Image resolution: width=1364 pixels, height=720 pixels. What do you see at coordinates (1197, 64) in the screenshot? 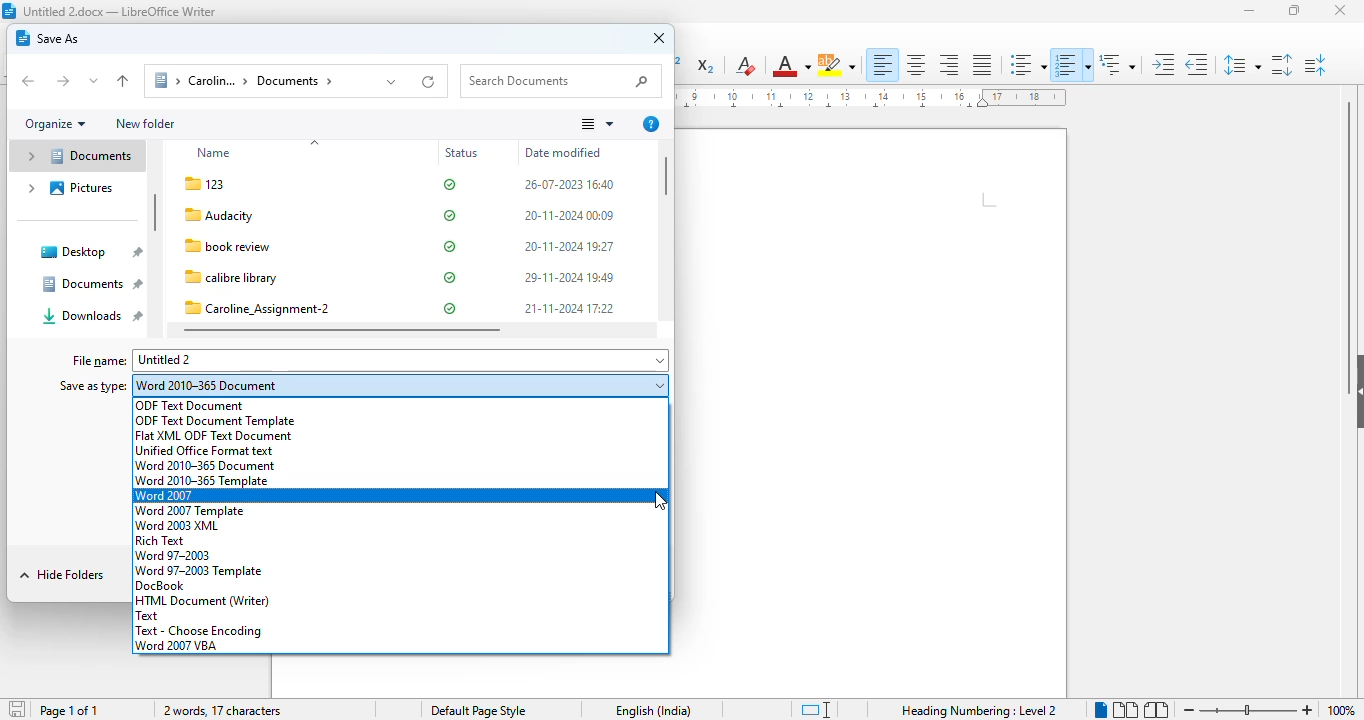
I see `decrease indent` at bounding box center [1197, 64].